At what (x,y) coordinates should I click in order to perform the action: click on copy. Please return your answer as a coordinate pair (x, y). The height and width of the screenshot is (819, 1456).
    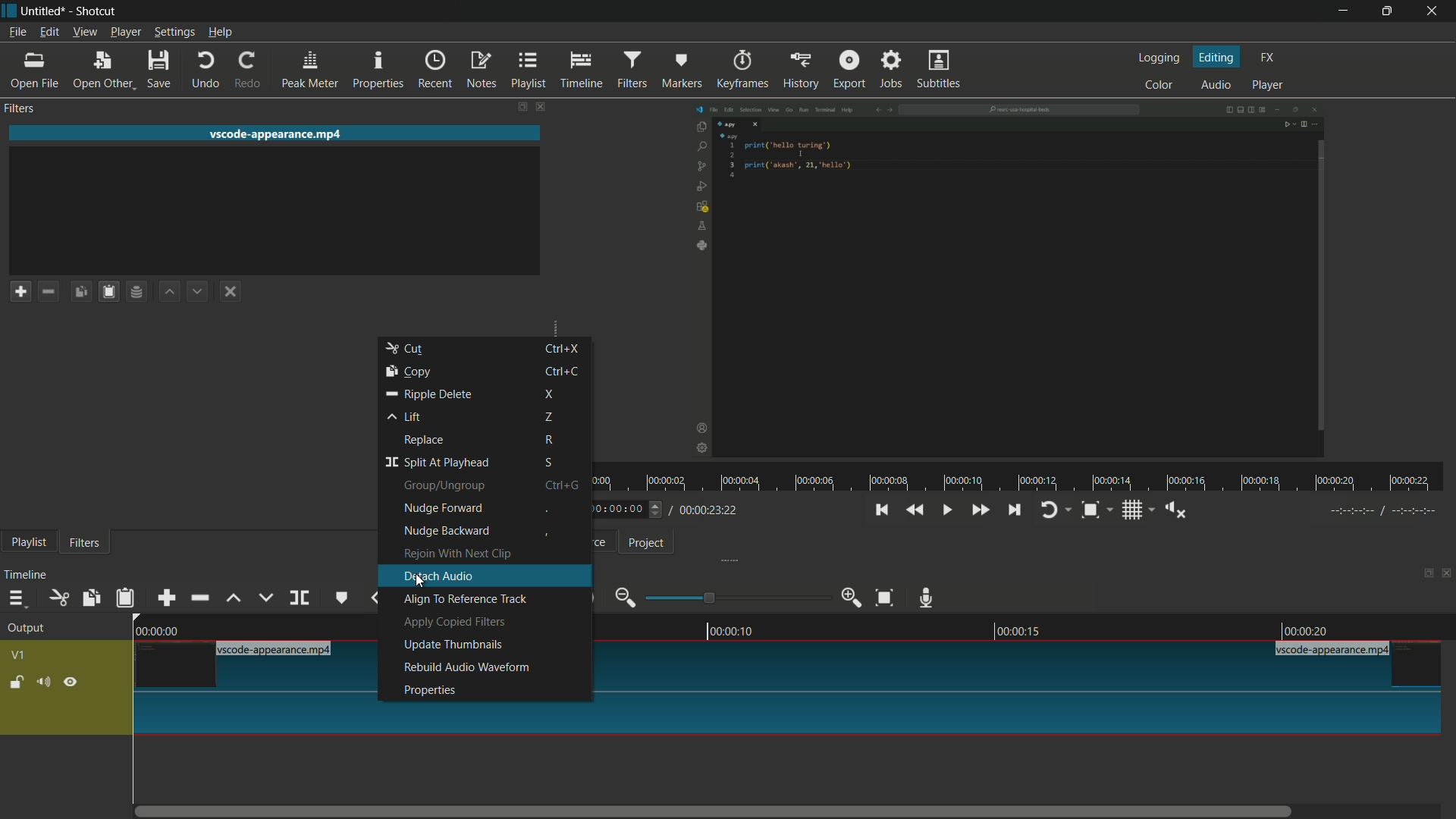
    Looking at the image, I should click on (92, 598).